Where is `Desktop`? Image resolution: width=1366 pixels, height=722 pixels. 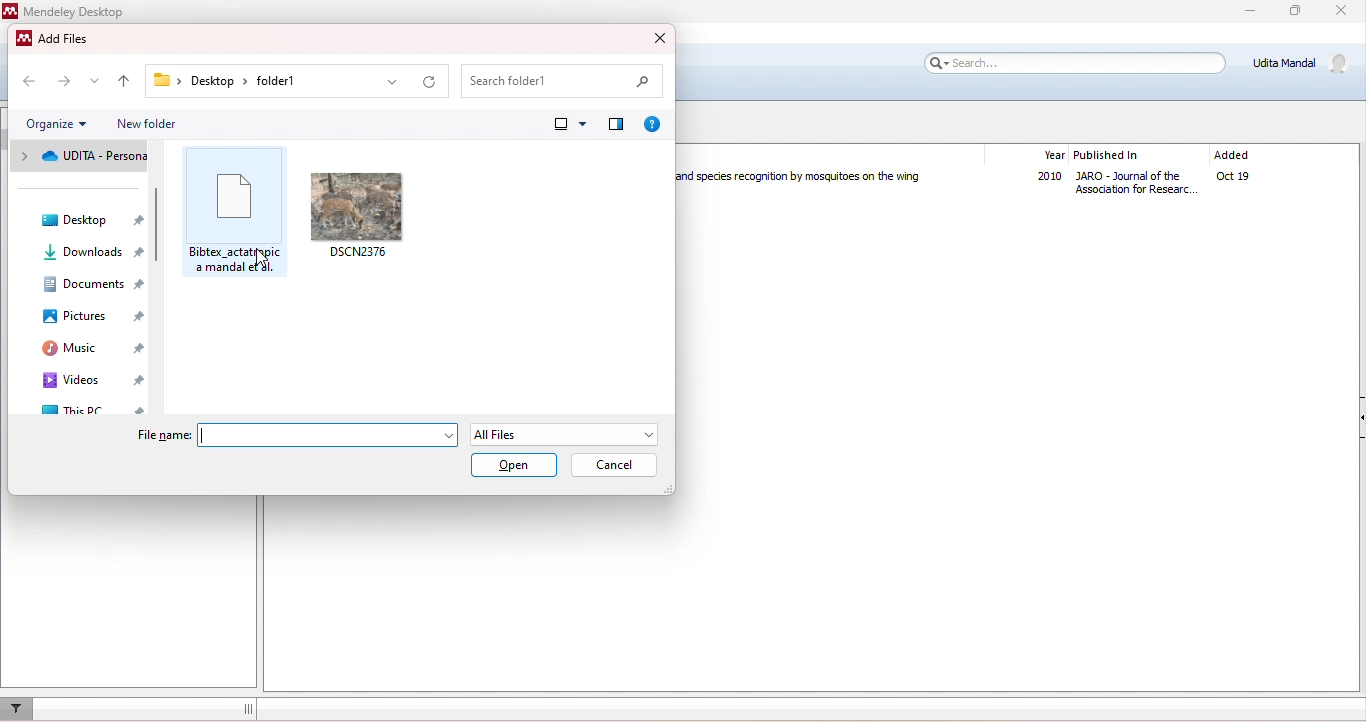 Desktop is located at coordinates (214, 82).